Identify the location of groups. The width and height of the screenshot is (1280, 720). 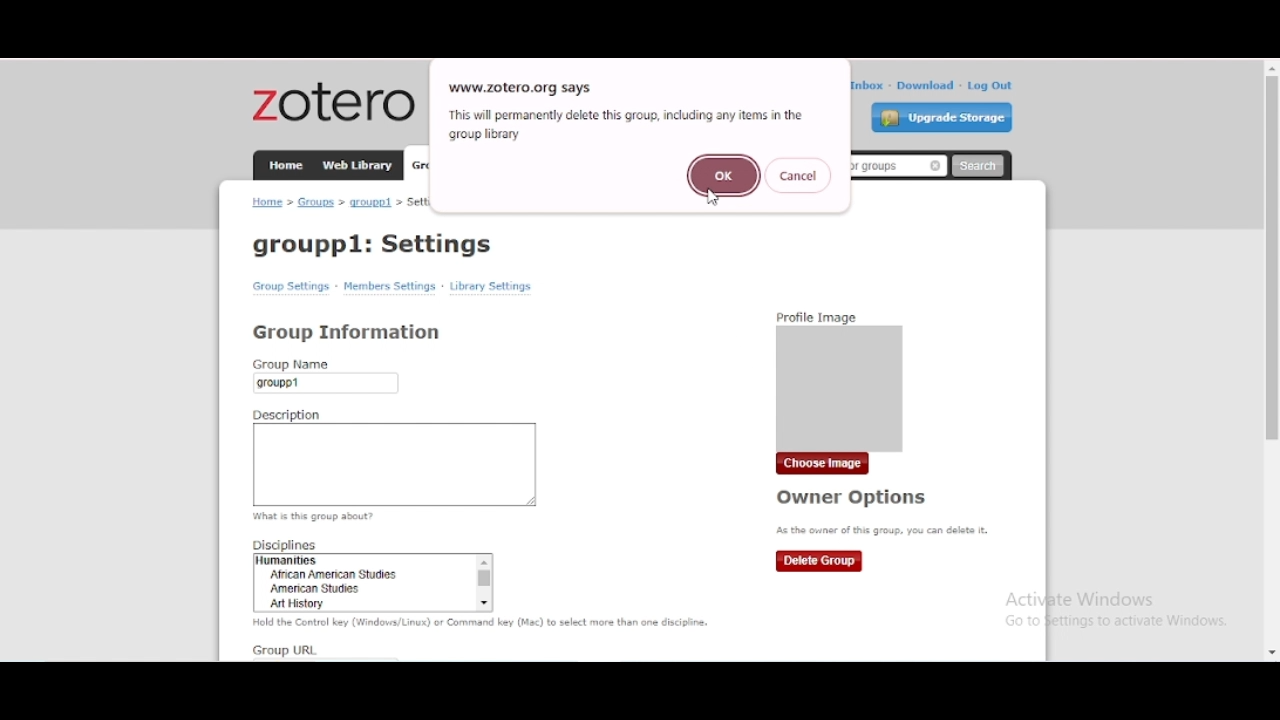
(317, 202).